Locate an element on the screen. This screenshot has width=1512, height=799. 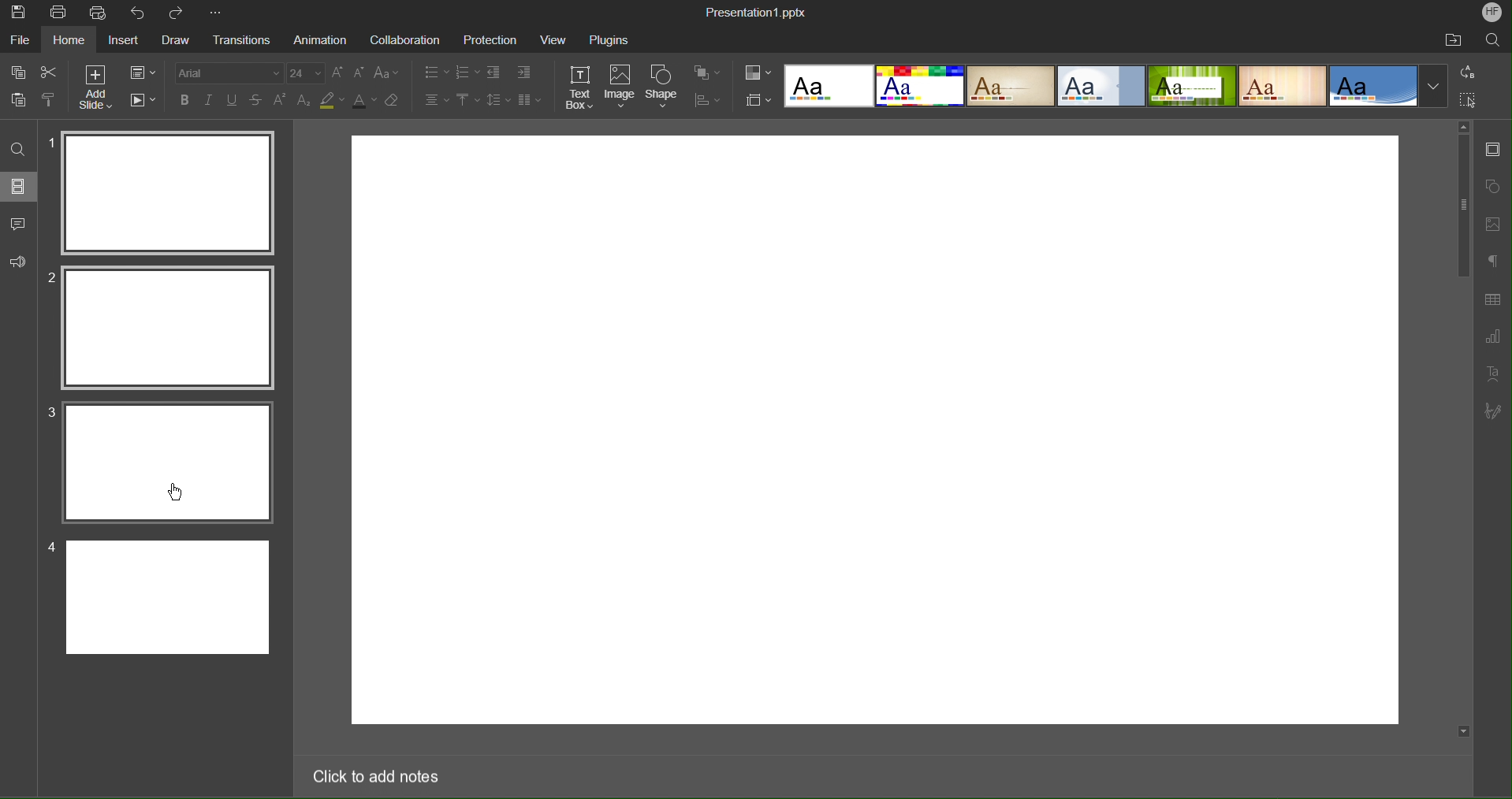
Search is located at coordinates (1494, 41).